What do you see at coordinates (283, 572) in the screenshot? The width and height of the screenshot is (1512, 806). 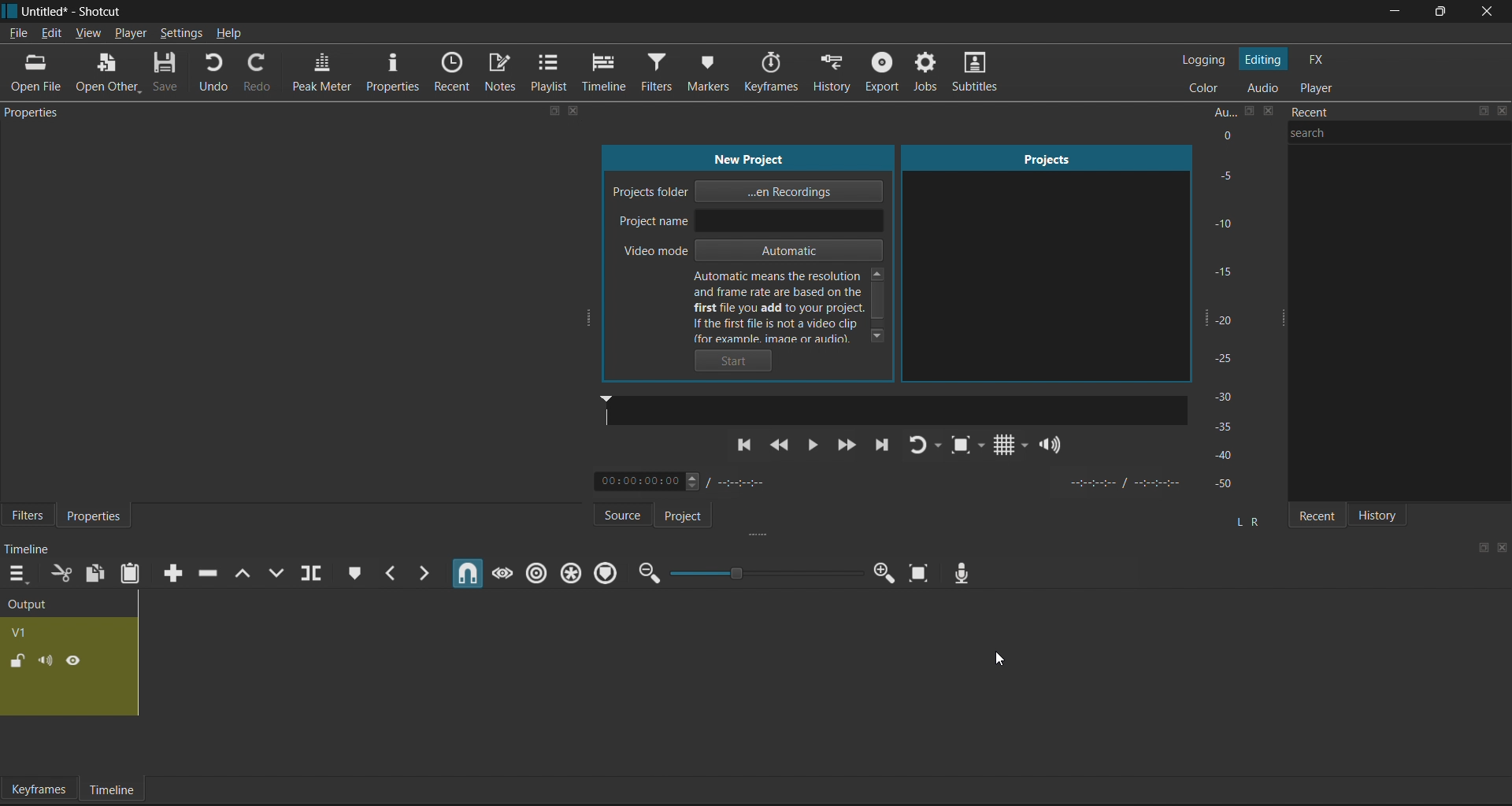 I see `Overwrite` at bounding box center [283, 572].